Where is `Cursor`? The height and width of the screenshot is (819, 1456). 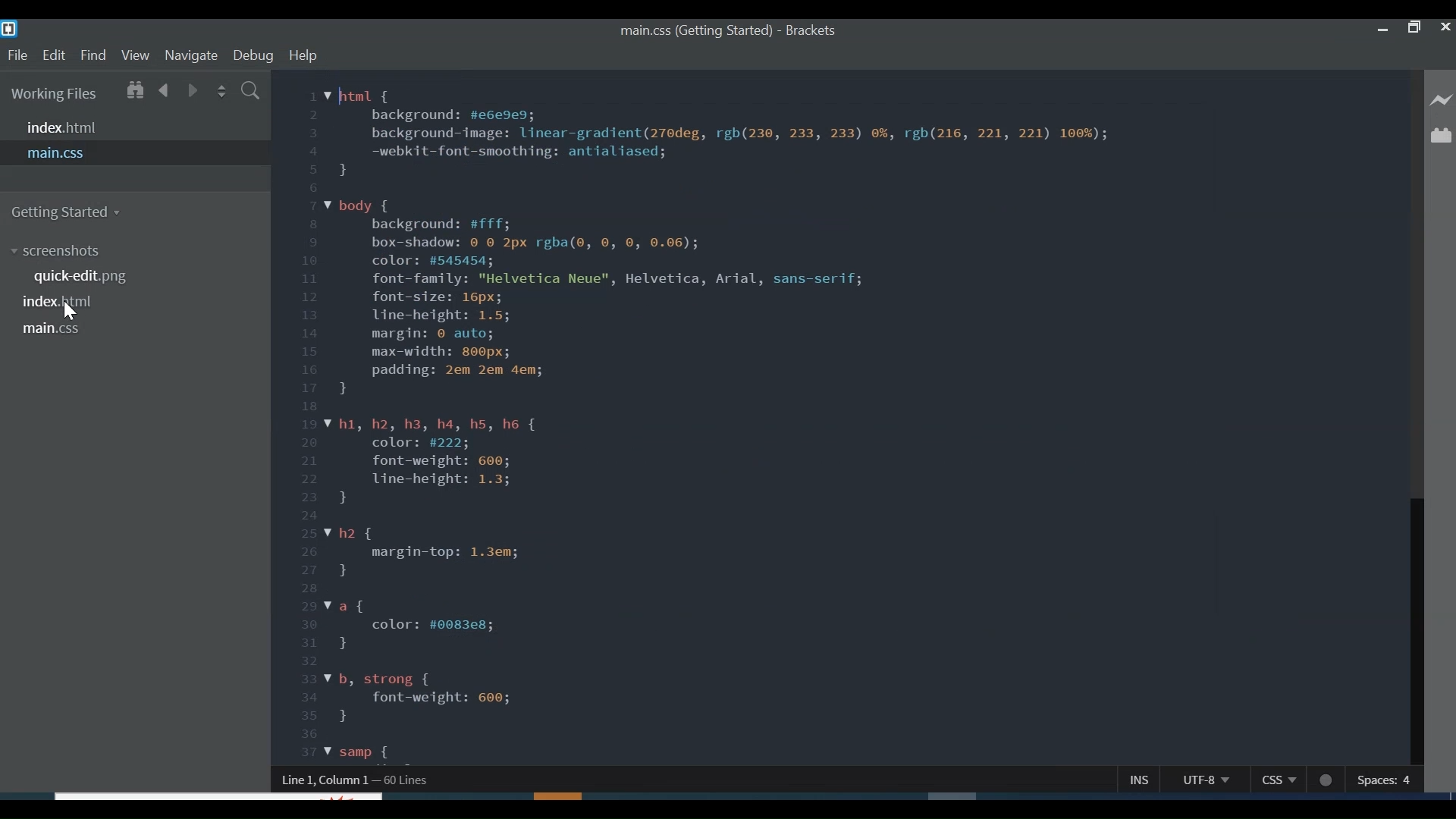 Cursor is located at coordinates (72, 313).